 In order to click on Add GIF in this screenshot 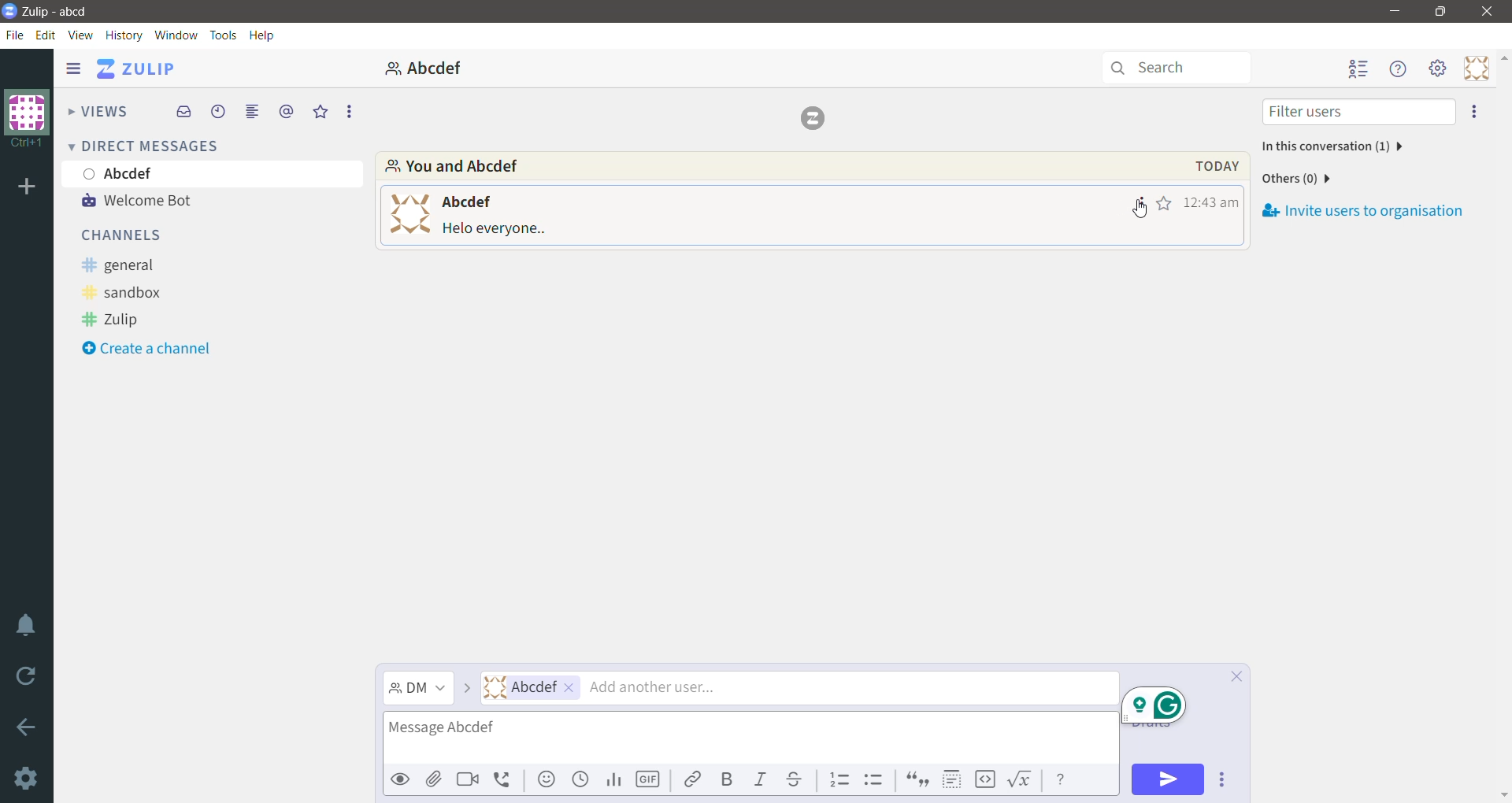, I will do `click(649, 779)`.